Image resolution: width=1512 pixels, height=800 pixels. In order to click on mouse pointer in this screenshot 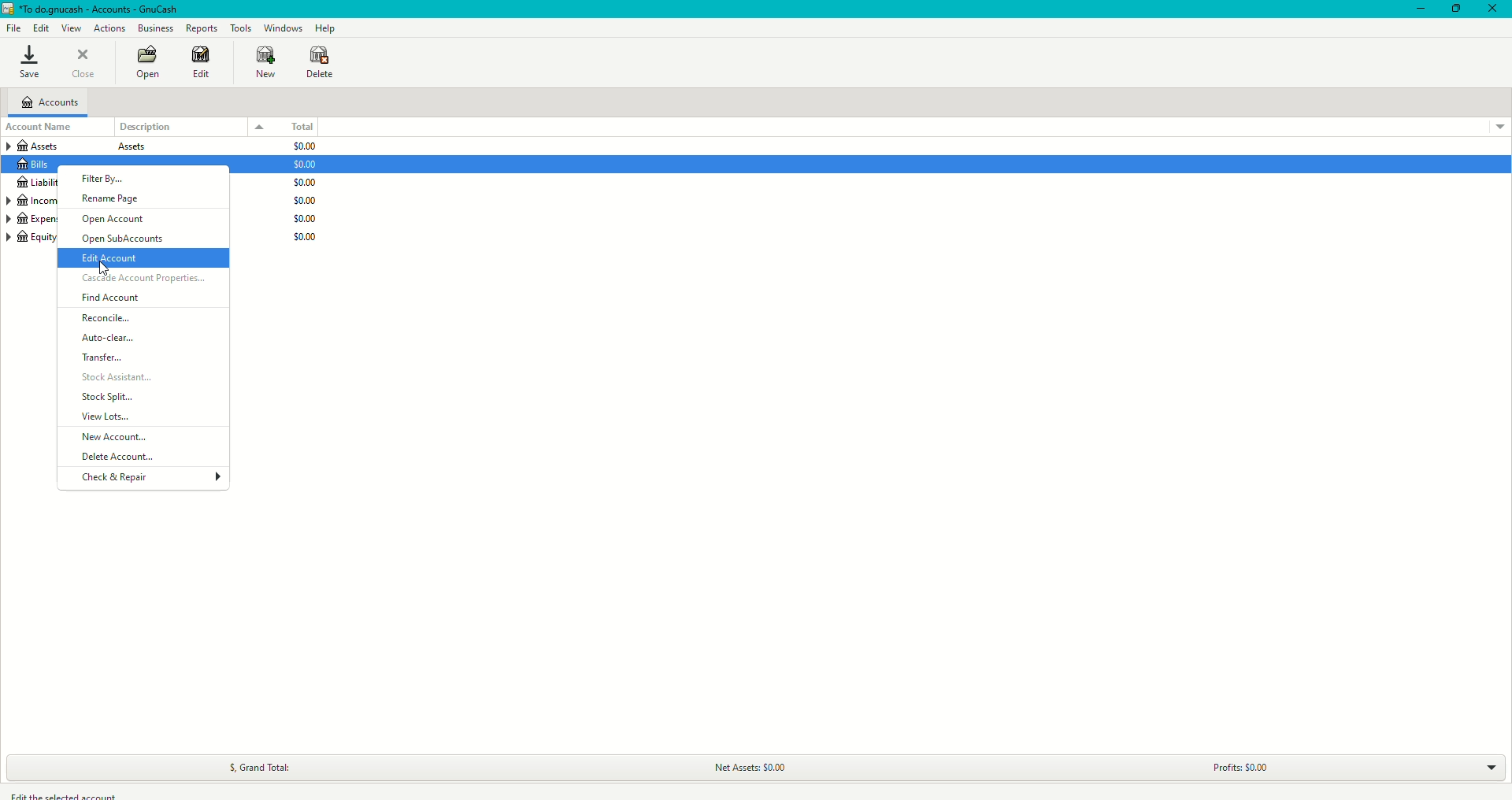, I will do `click(103, 271)`.